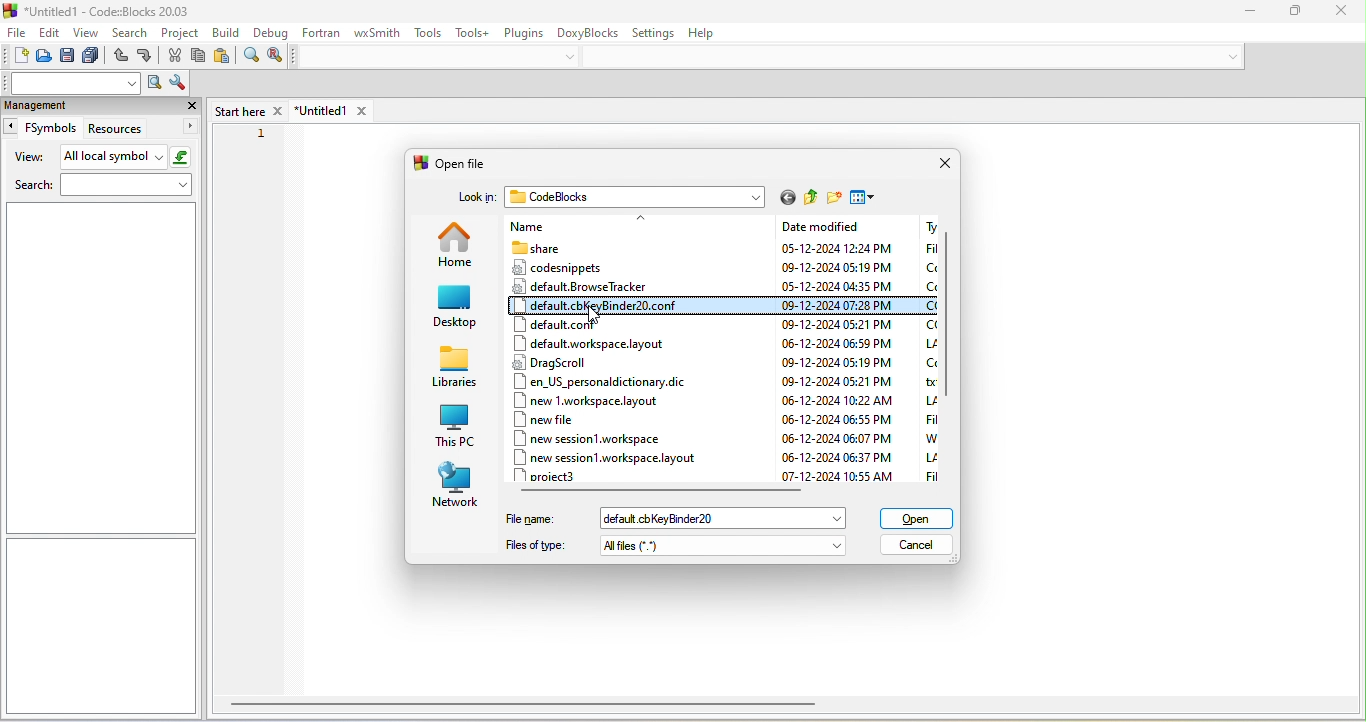  I want to click on date, so click(833, 380).